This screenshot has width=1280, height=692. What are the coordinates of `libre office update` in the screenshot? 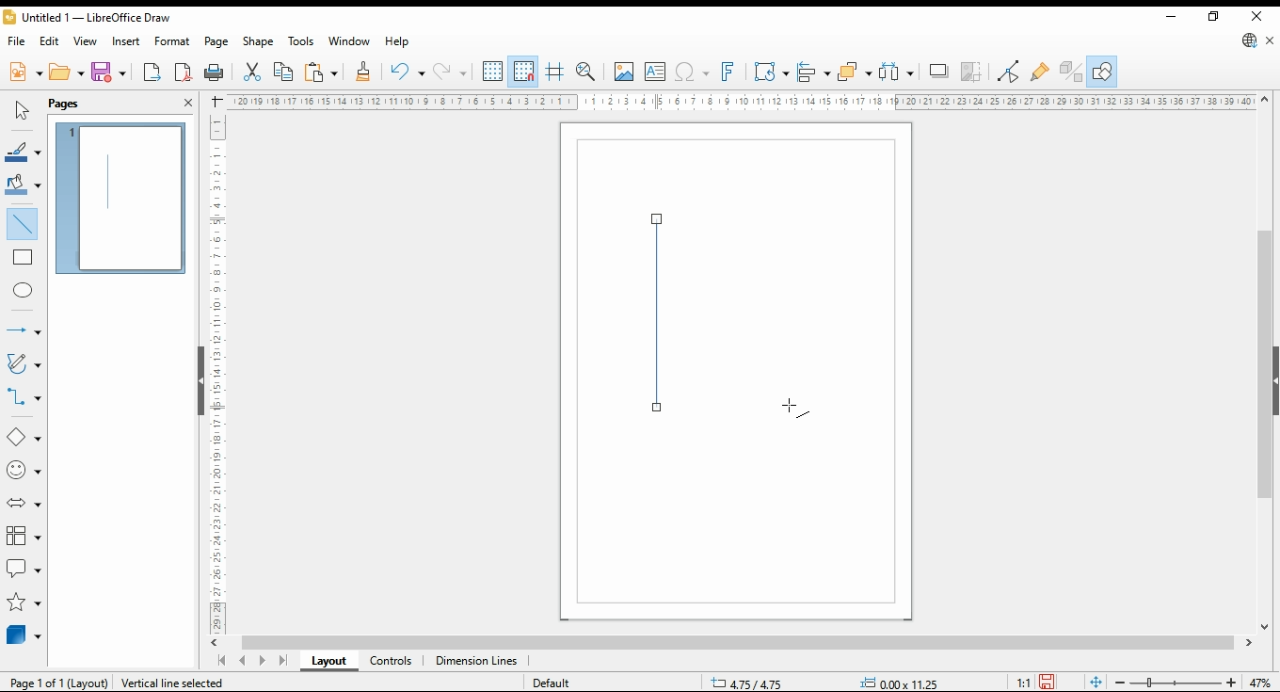 It's located at (1250, 42).